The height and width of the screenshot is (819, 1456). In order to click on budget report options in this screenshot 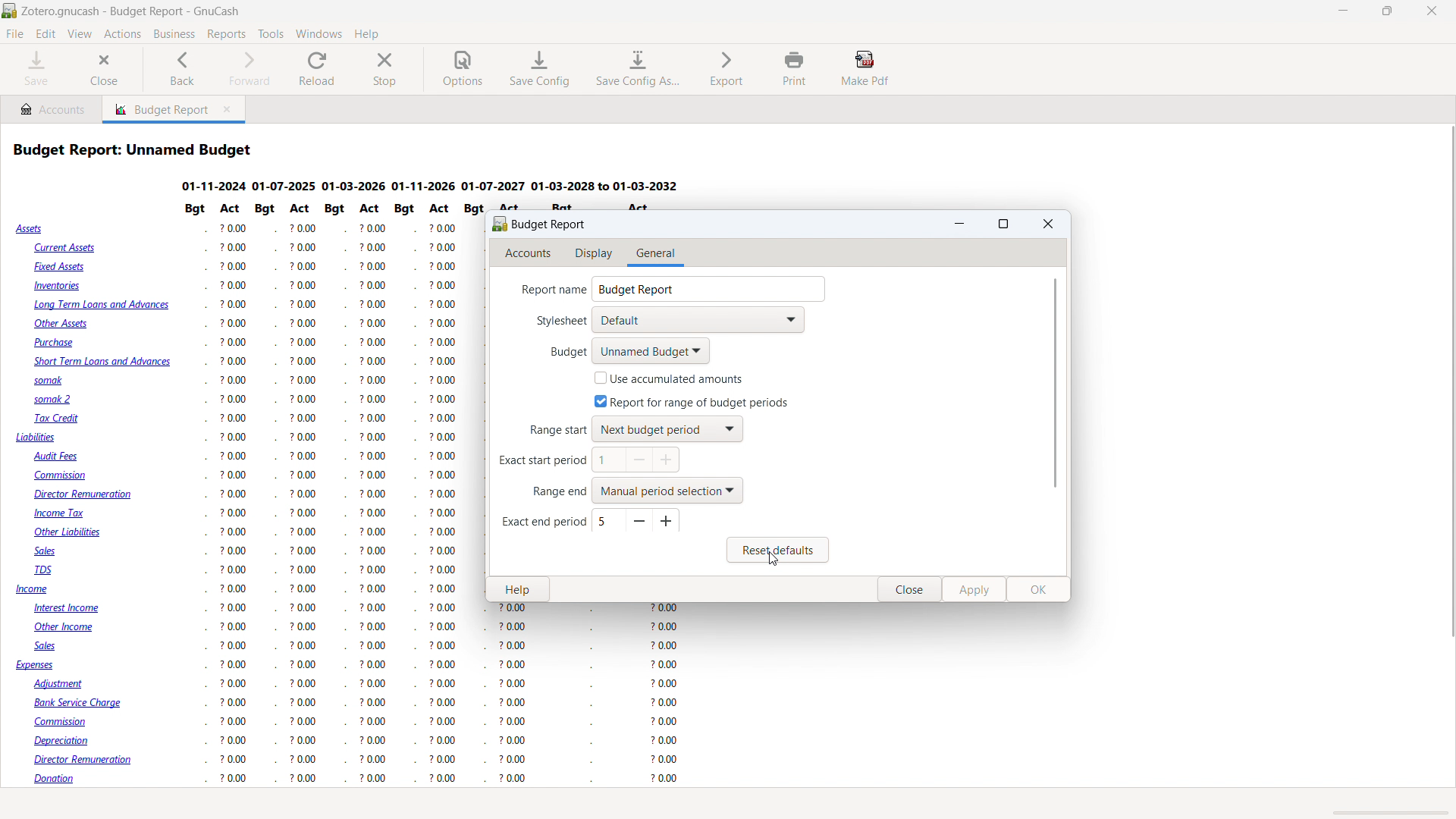, I will do `click(539, 223)`.